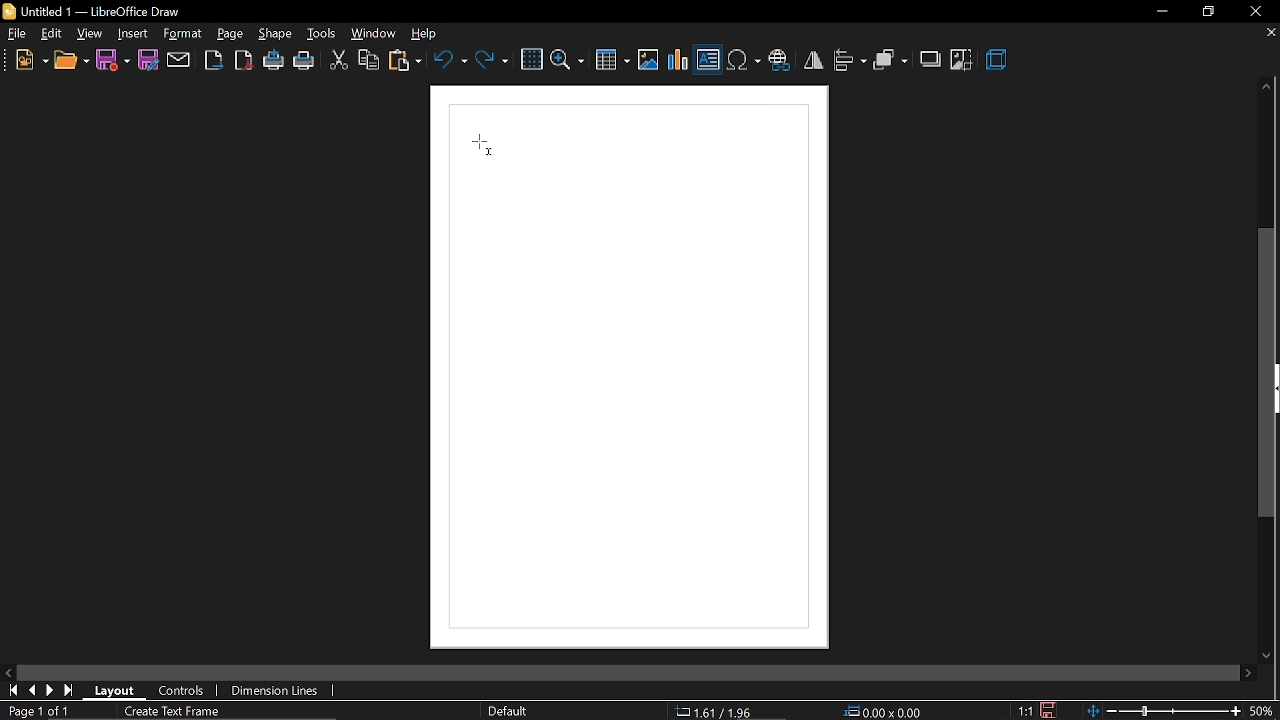 The height and width of the screenshot is (720, 1280). I want to click on undo, so click(450, 59).